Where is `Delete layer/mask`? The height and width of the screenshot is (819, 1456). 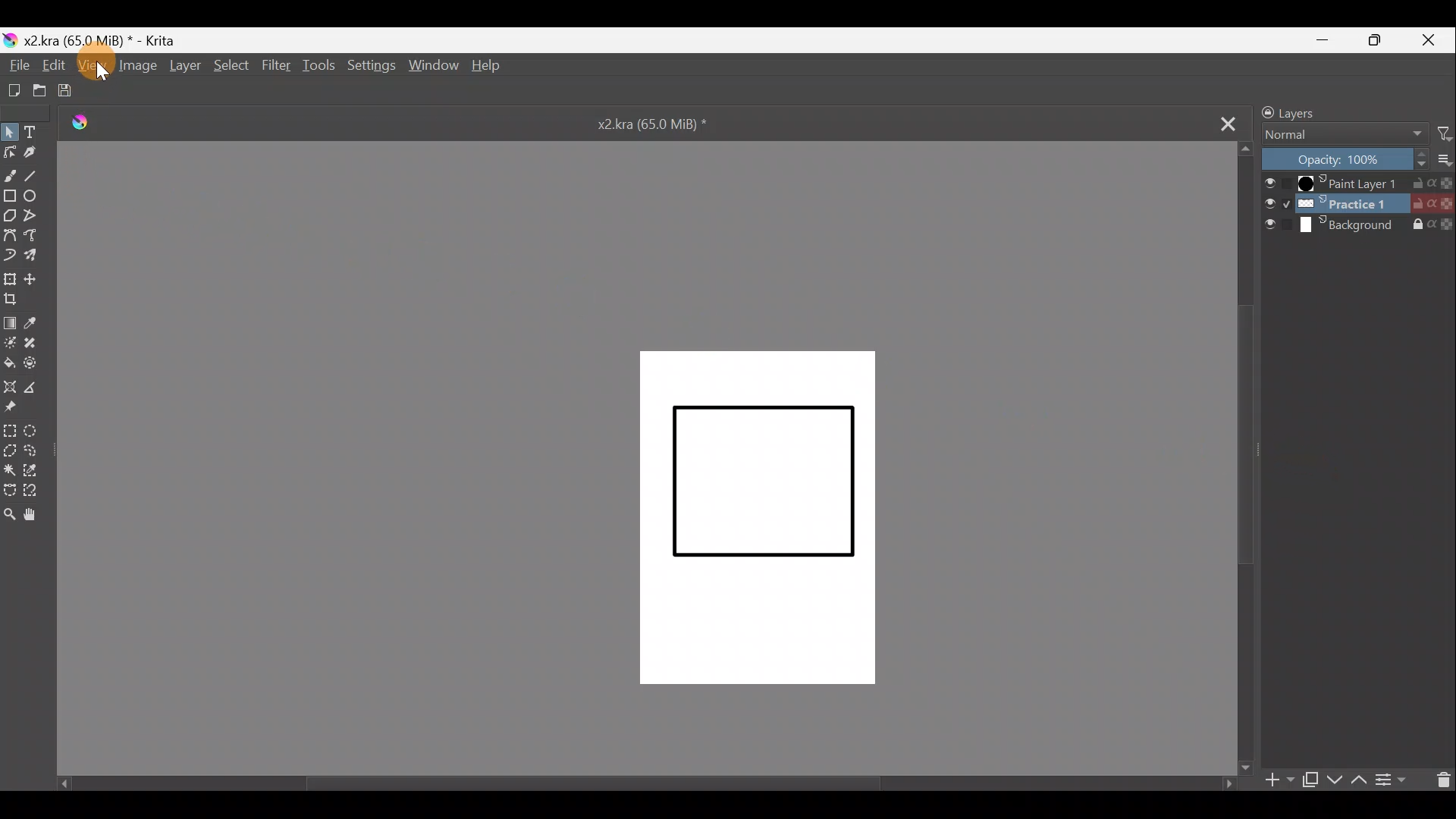 Delete layer/mask is located at coordinates (1439, 780).